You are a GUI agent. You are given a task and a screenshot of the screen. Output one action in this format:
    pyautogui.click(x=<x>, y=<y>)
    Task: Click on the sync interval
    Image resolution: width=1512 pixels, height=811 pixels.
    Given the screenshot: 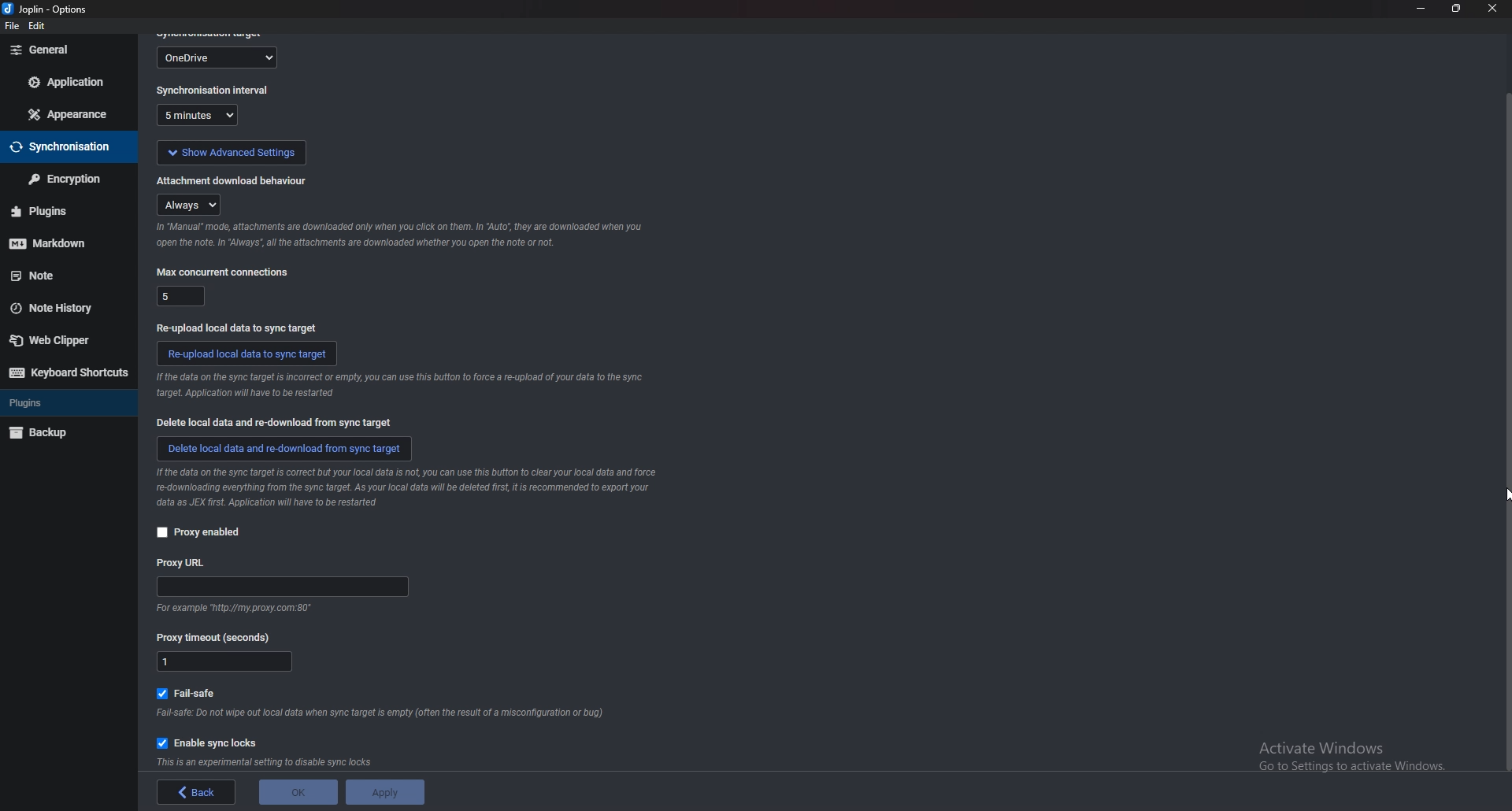 What is the action you would take?
    pyautogui.click(x=202, y=117)
    